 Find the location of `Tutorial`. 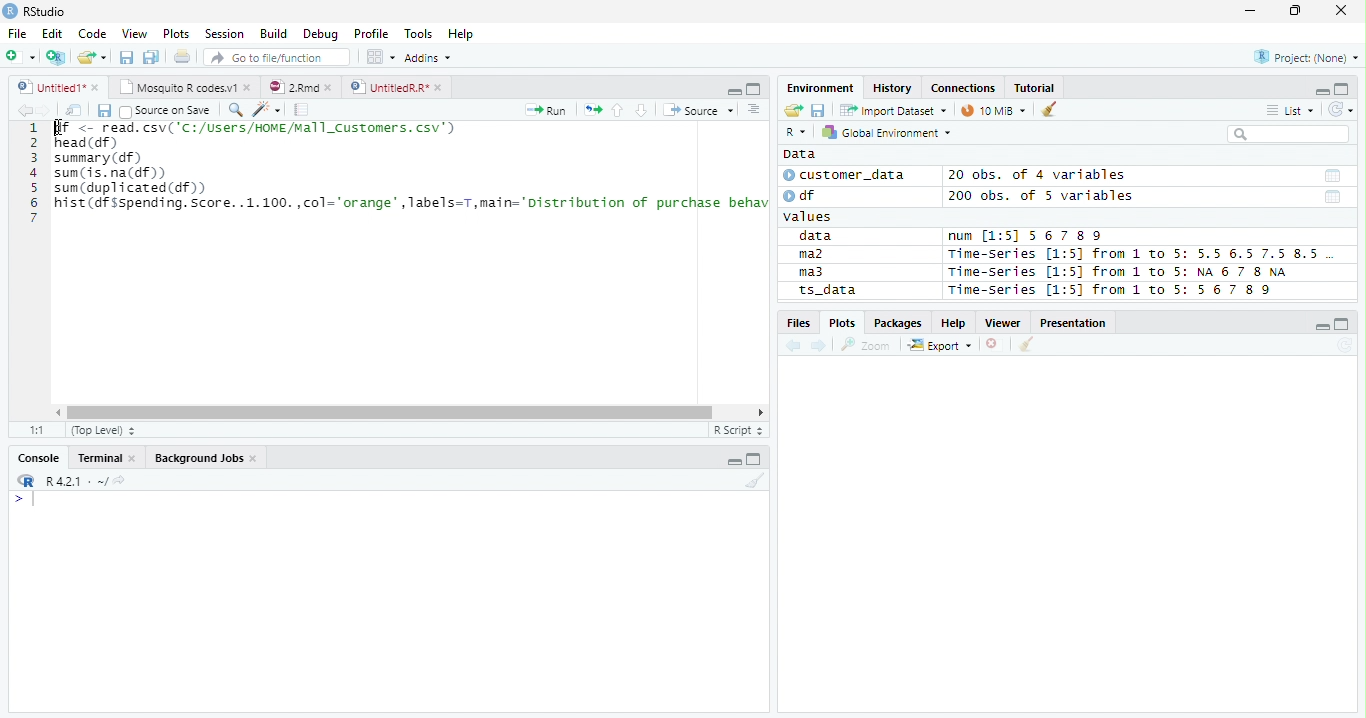

Tutorial is located at coordinates (1035, 87).